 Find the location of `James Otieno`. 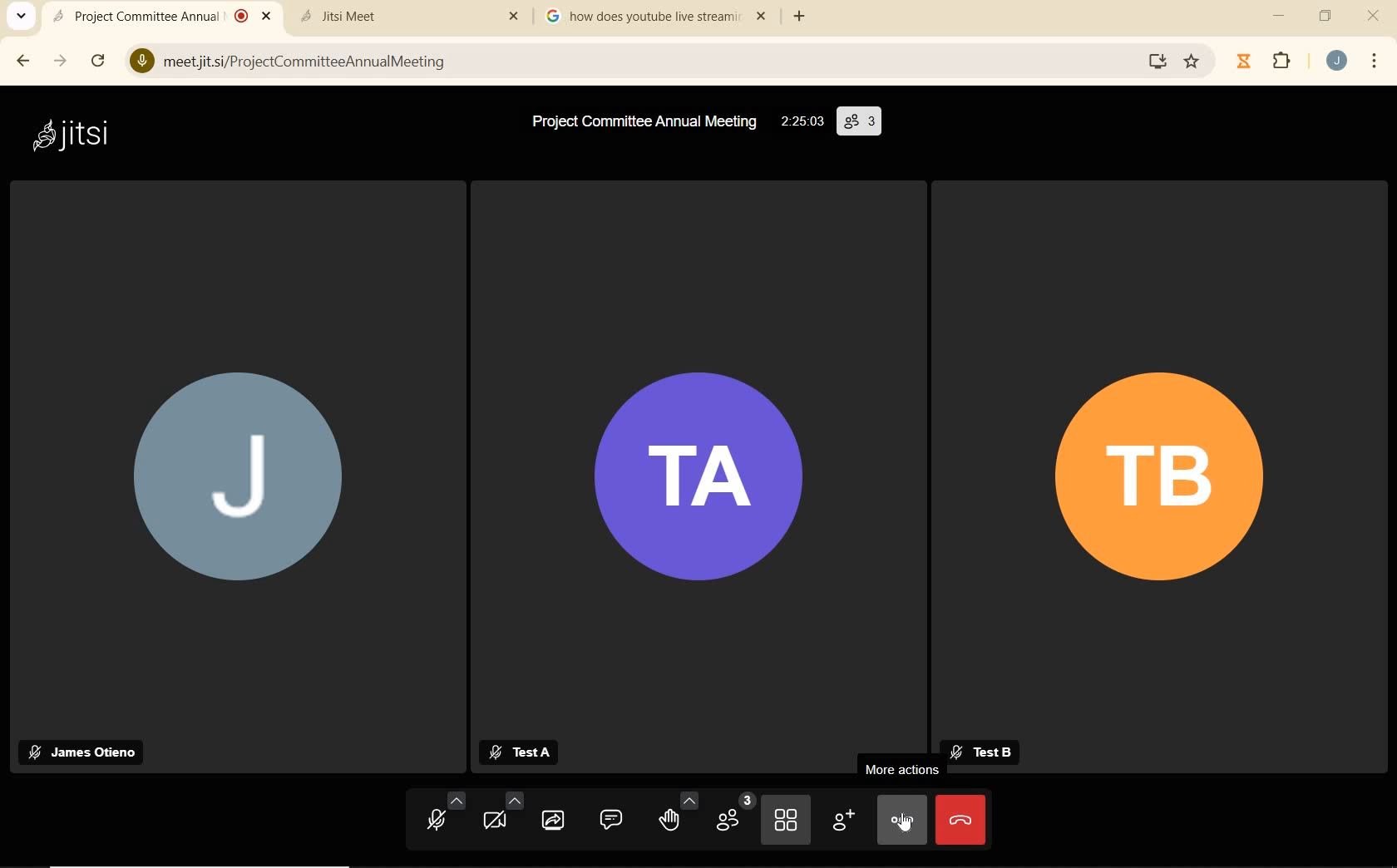

James Otieno is located at coordinates (86, 752).